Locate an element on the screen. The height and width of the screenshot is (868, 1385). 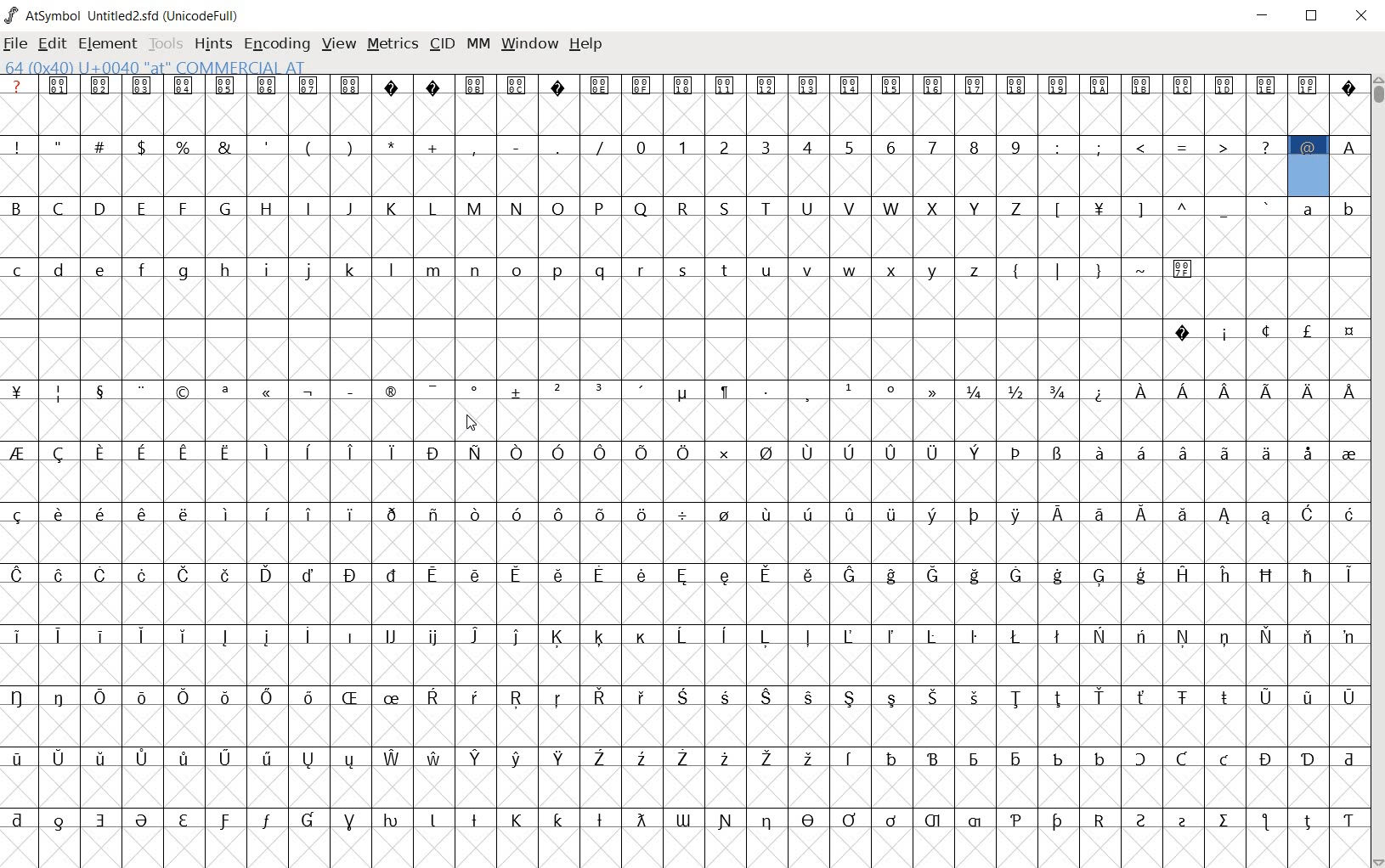
empty glyph slots is located at coordinates (687, 603).